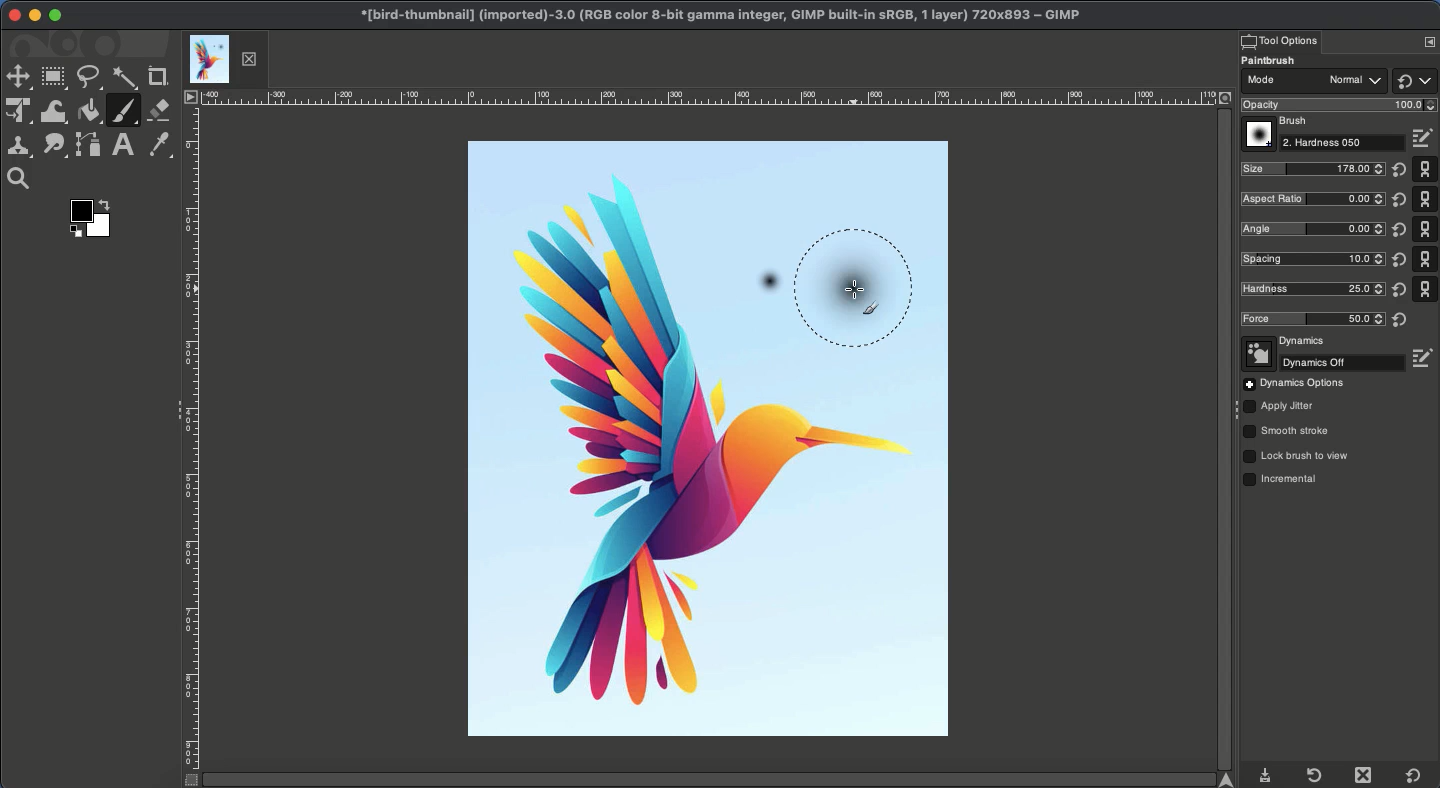  I want to click on Freeform selector, so click(90, 78).